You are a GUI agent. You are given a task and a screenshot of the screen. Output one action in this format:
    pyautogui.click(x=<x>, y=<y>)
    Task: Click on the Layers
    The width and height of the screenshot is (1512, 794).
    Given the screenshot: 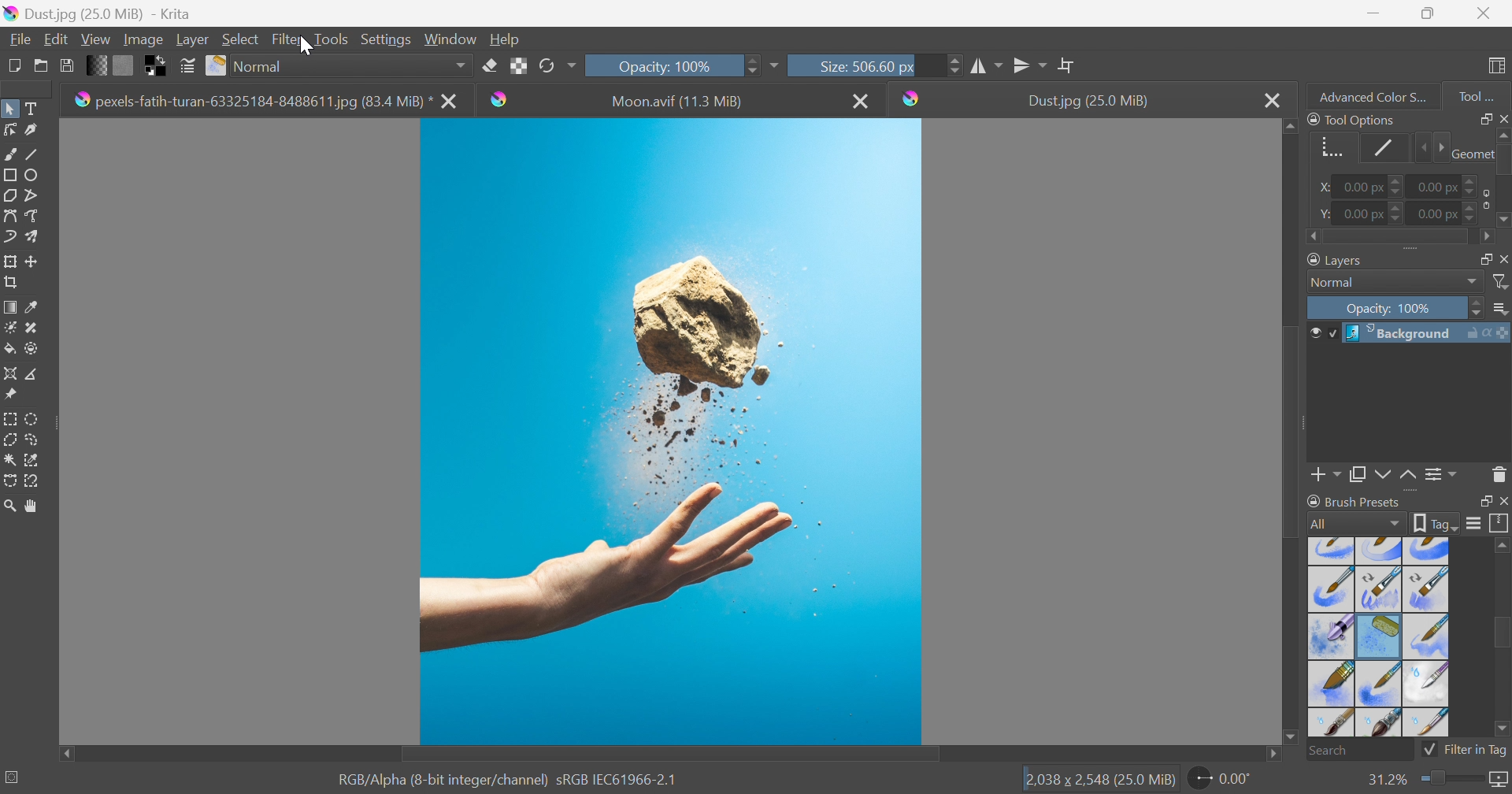 What is the action you would take?
    pyautogui.click(x=1480, y=257)
    